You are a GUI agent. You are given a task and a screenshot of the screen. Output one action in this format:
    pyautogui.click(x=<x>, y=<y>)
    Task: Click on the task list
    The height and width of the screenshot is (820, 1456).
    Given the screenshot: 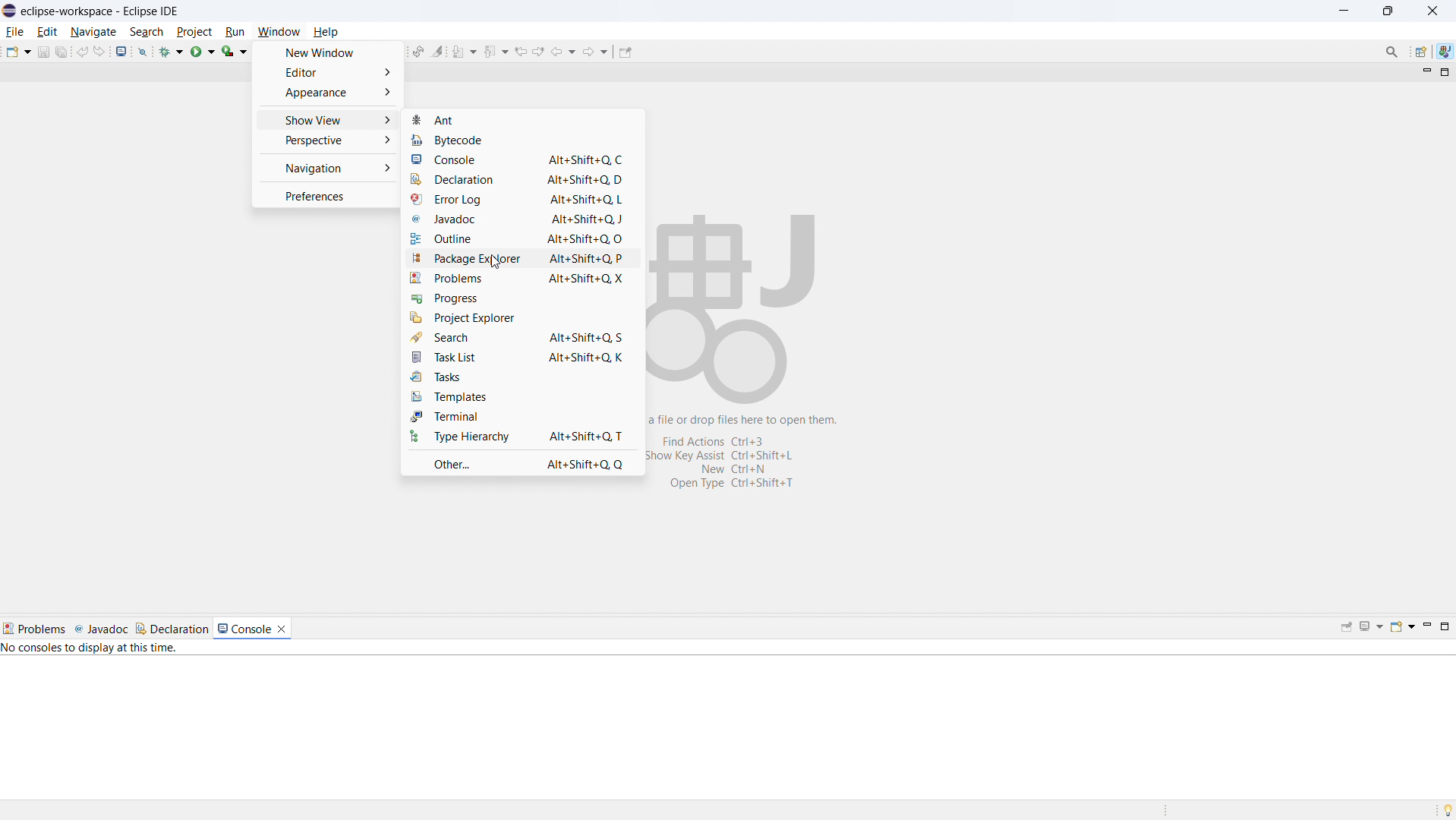 What is the action you would take?
    pyautogui.click(x=522, y=357)
    